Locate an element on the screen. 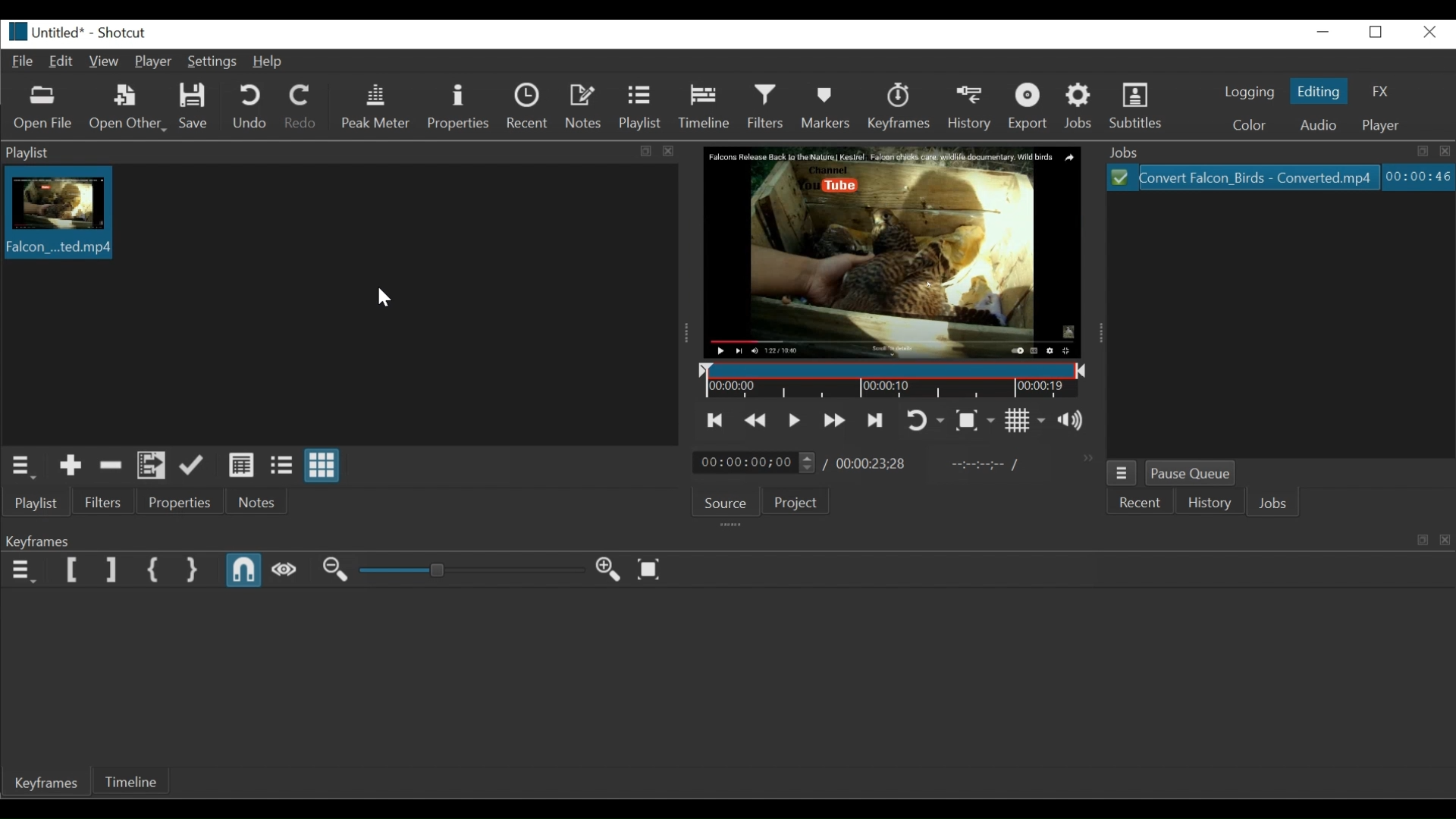 The height and width of the screenshot is (819, 1456). Save is located at coordinates (194, 107).